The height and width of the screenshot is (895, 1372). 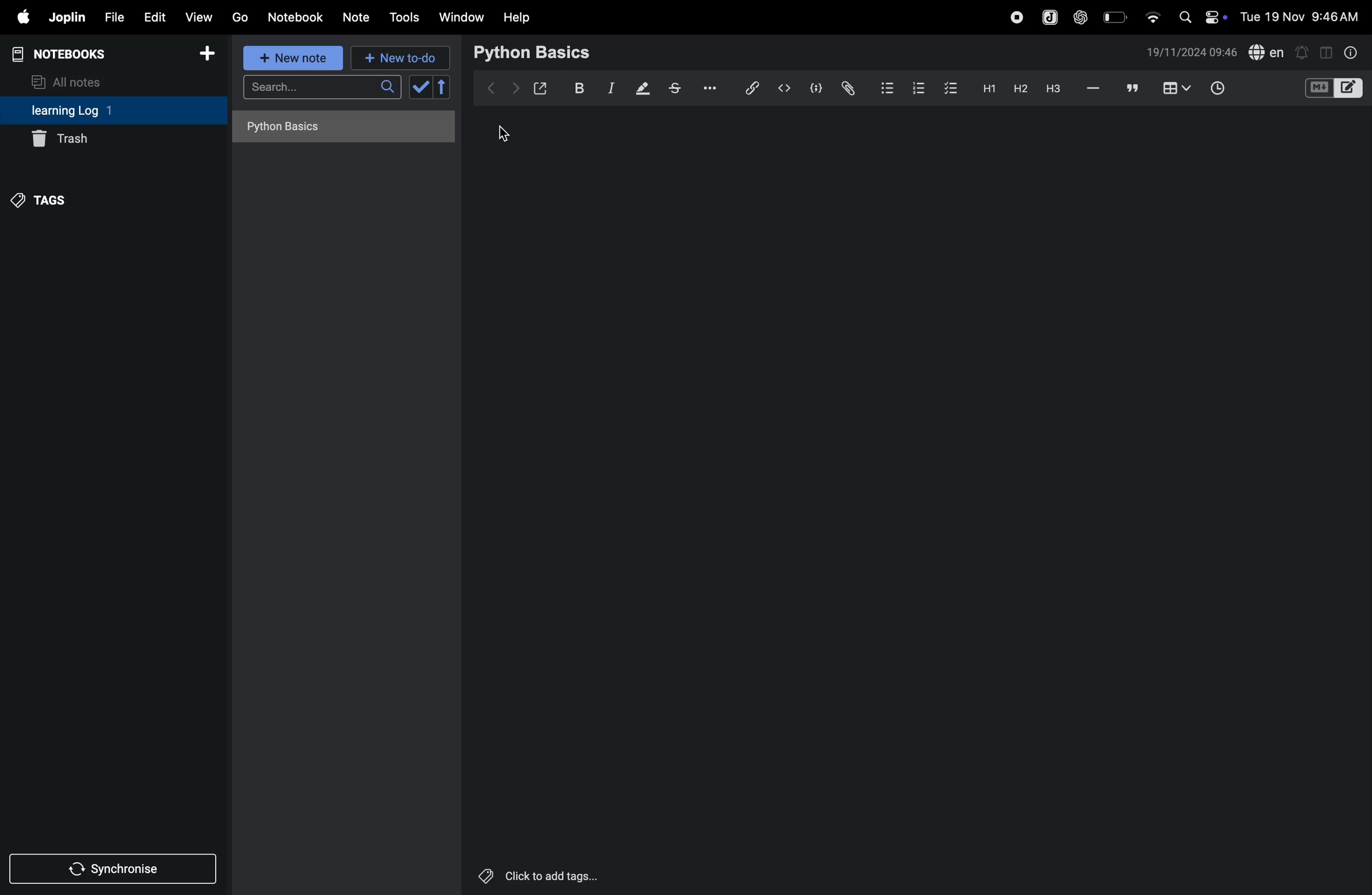 I want to click on battery, so click(x=1116, y=16).